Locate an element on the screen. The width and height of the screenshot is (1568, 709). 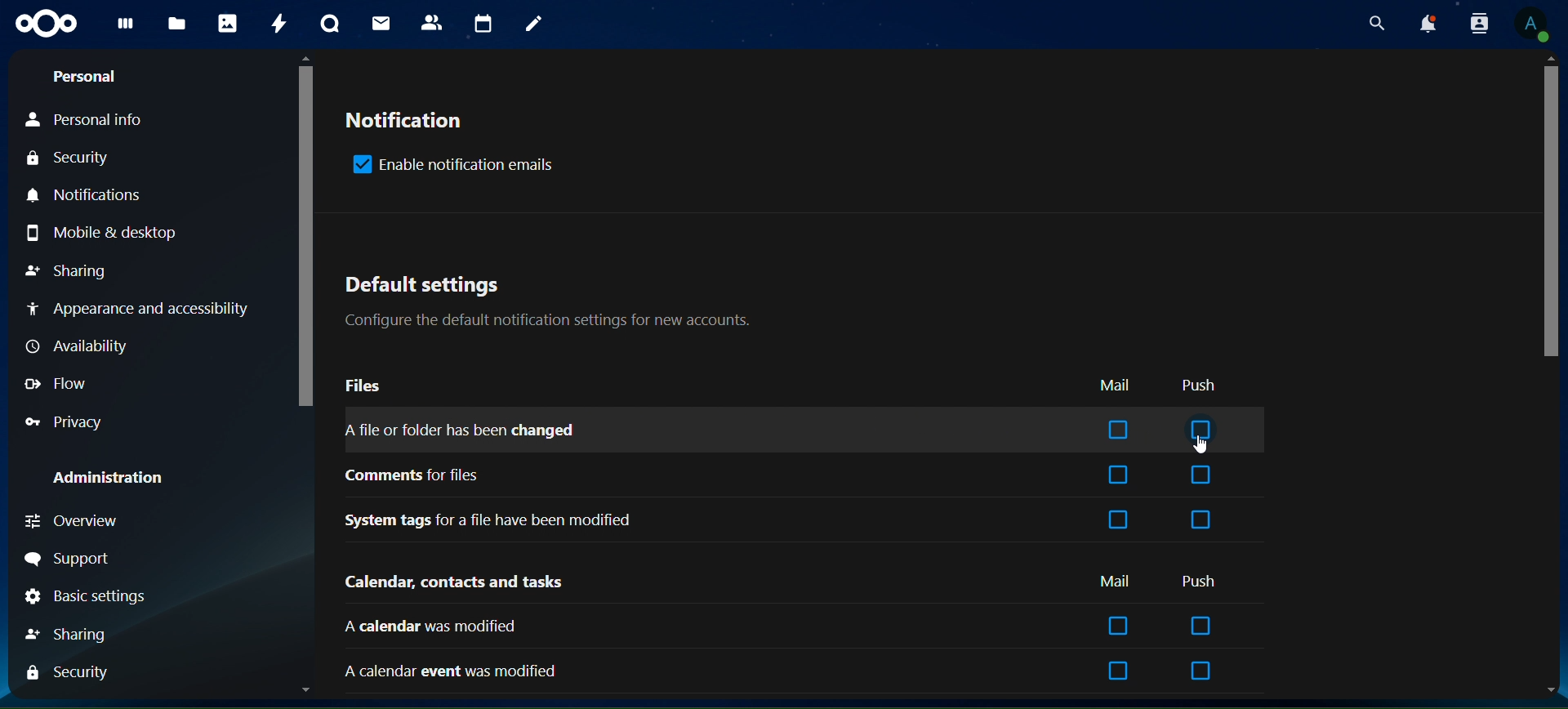
notifications is located at coordinates (136, 308).